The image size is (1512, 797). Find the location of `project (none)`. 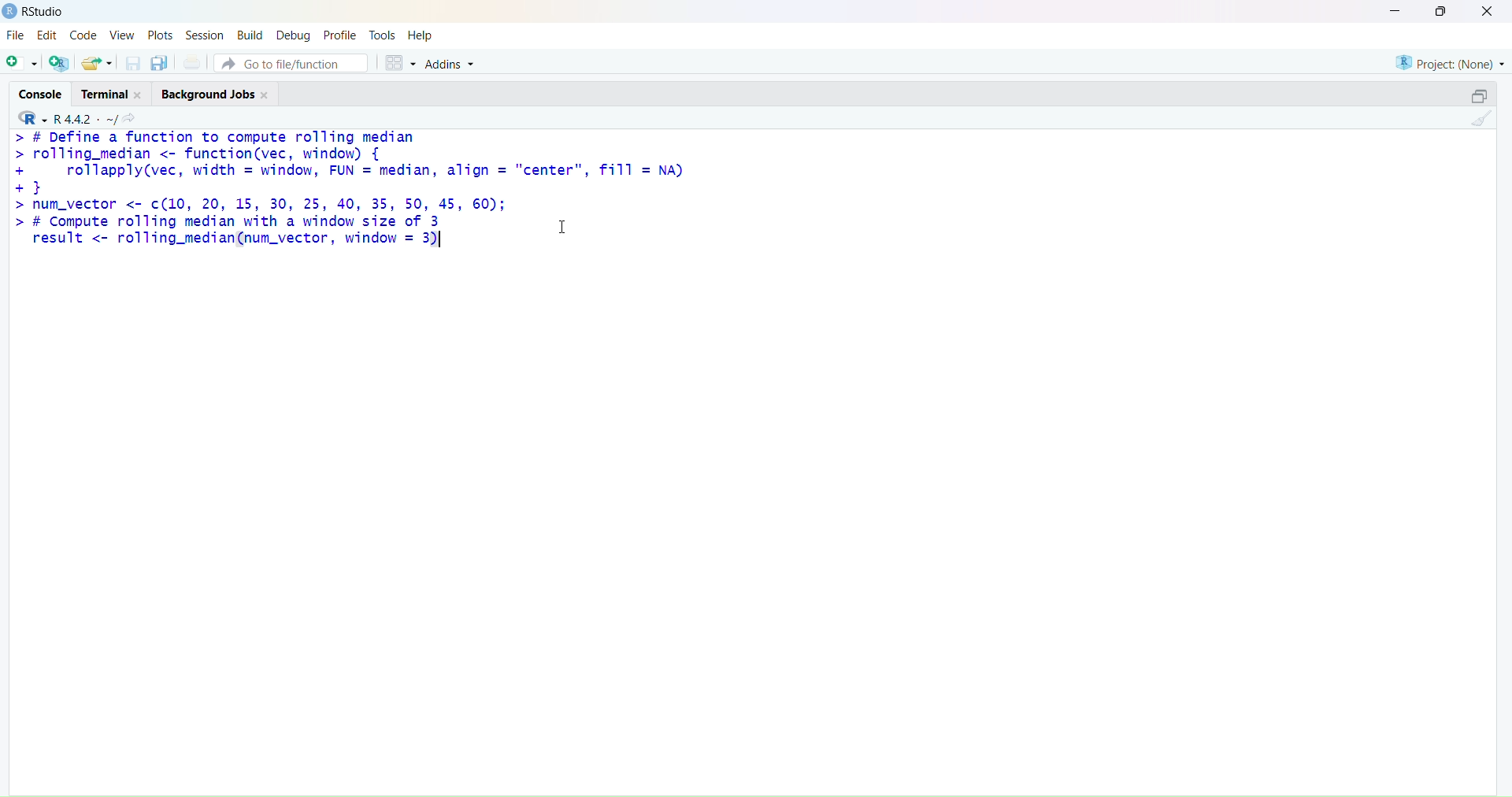

project (none) is located at coordinates (1450, 63).